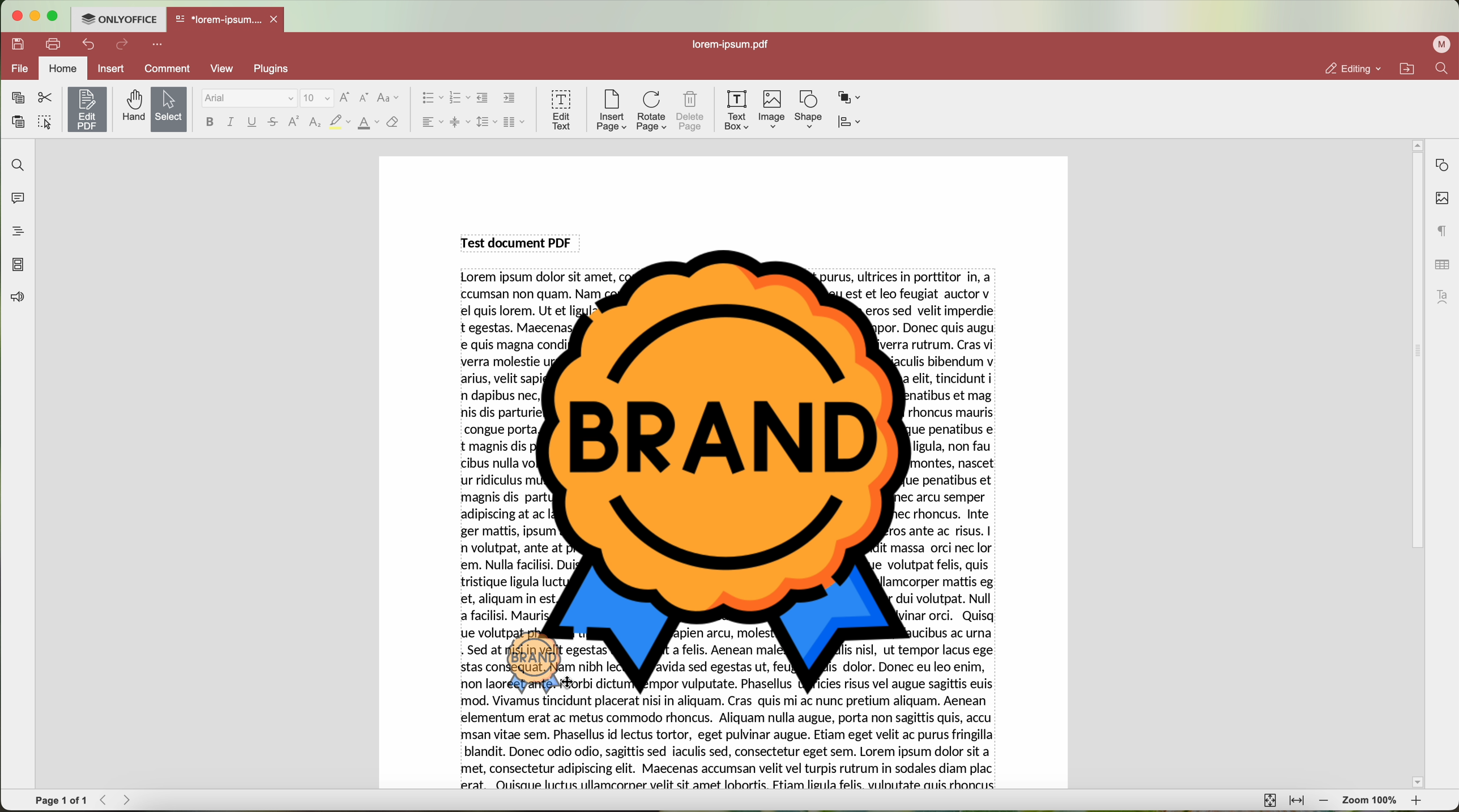 The height and width of the screenshot is (812, 1459). What do you see at coordinates (1418, 803) in the screenshot?
I see `zoom in` at bounding box center [1418, 803].